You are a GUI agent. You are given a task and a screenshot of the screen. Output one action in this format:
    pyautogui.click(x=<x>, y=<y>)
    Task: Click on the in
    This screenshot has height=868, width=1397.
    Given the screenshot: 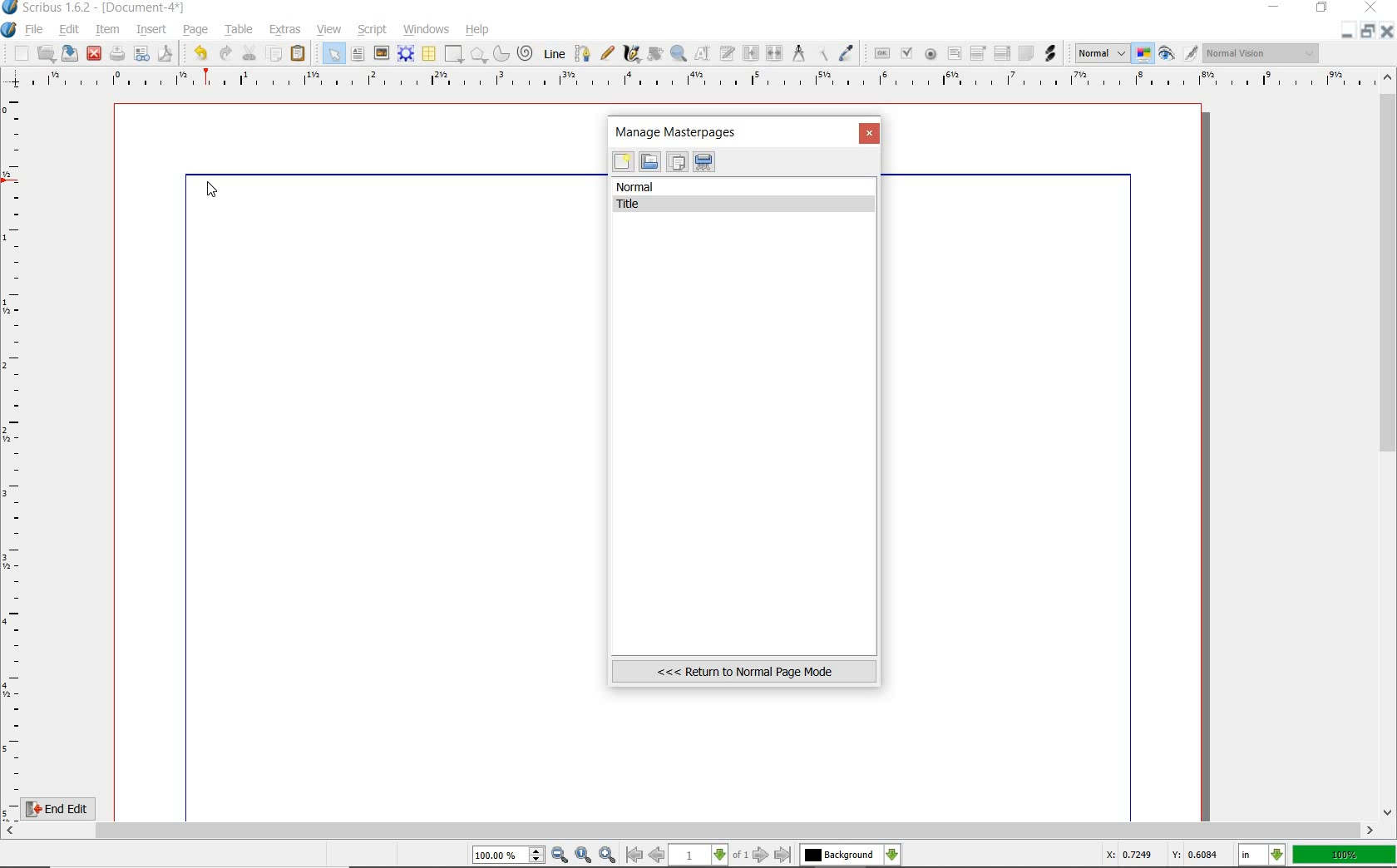 What is the action you would take?
    pyautogui.click(x=1262, y=856)
    